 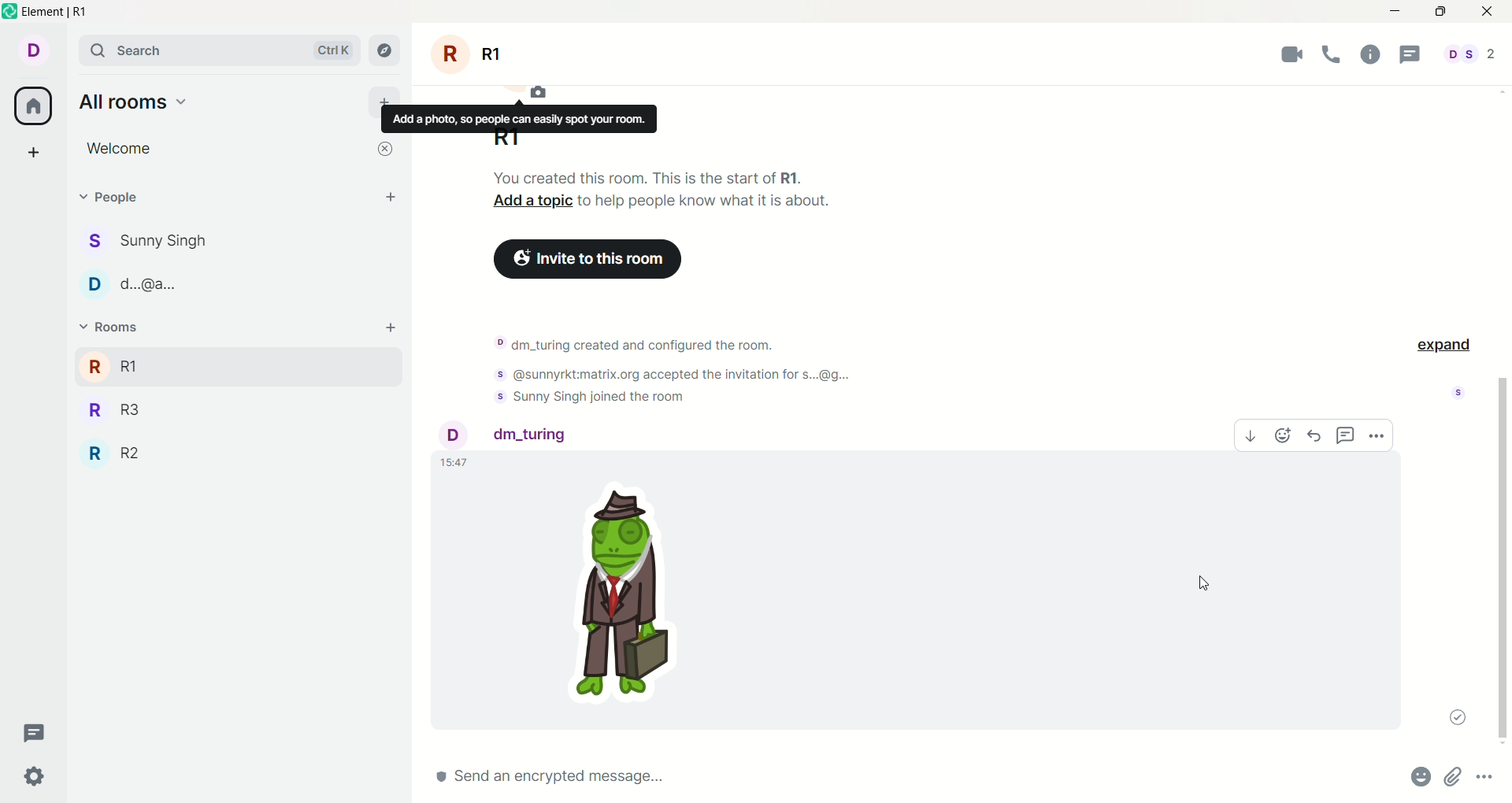 What do you see at coordinates (1484, 776) in the screenshot?
I see `More options` at bounding box center [1484, 776].